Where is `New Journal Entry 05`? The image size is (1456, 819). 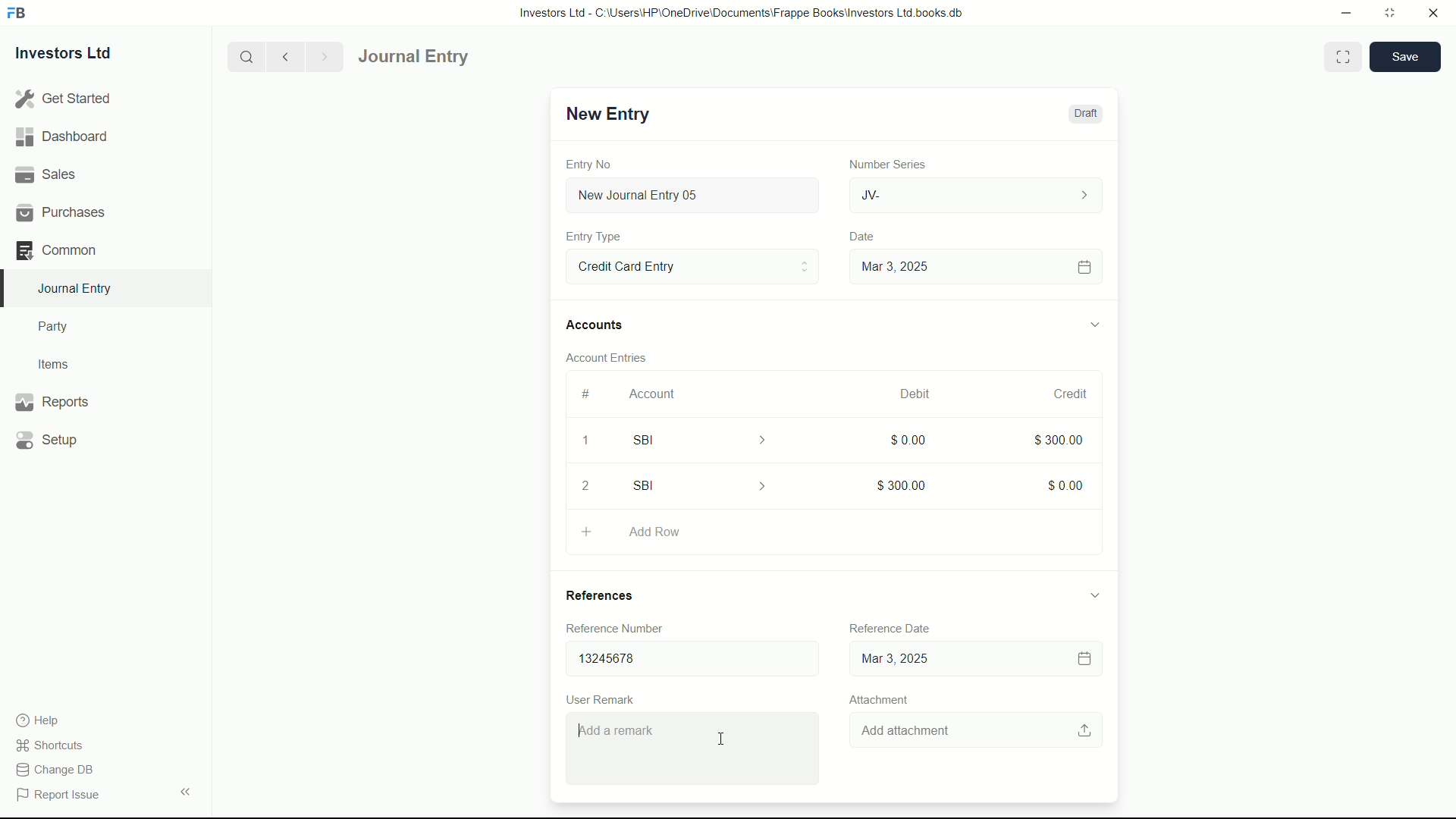
New Journal Entry 05 is located at coordinates (695, 196).